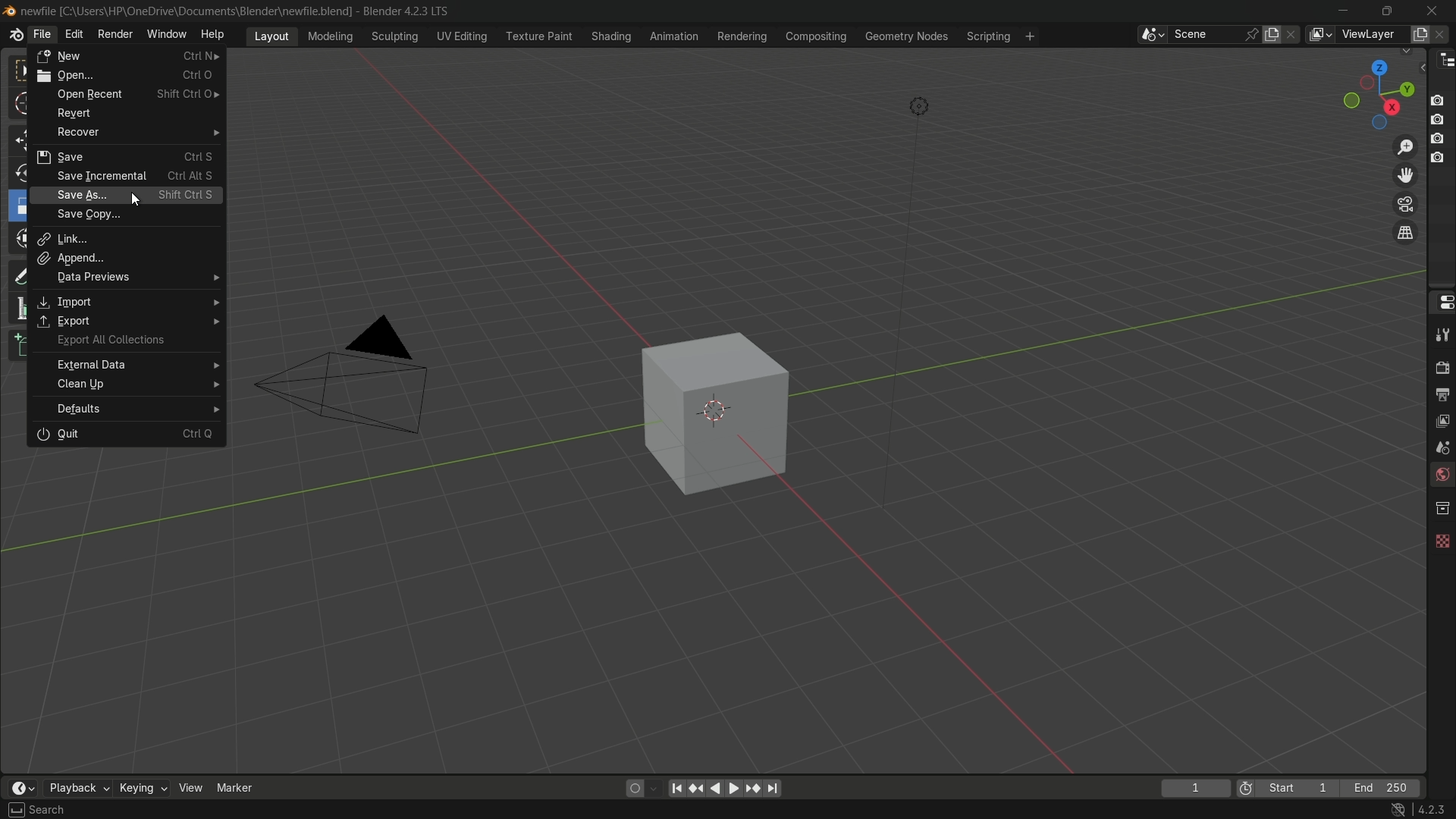  Describe the element at coordinates (77, 788) in the screenshot. I see `playback` at that location.